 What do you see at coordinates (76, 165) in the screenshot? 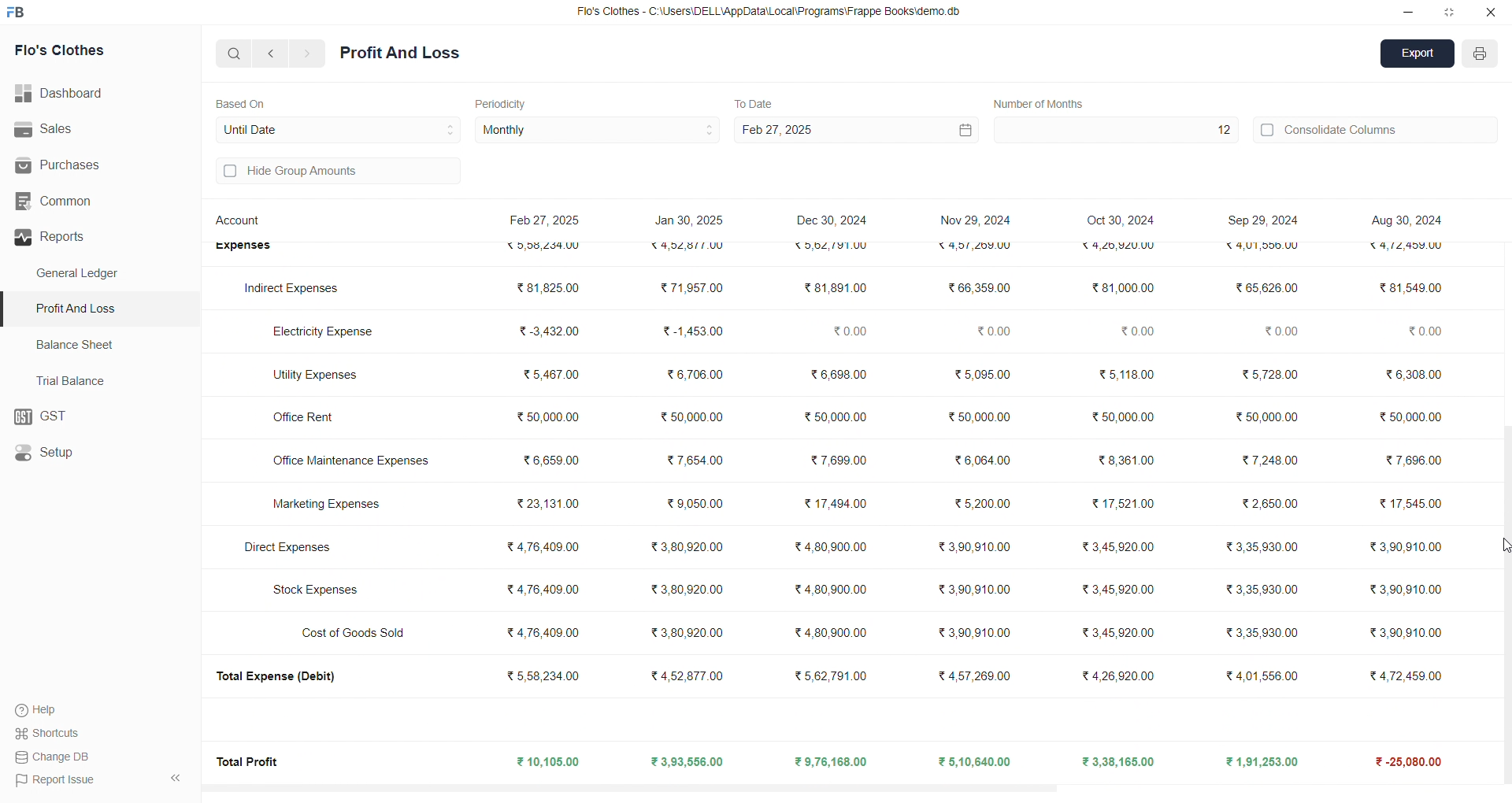
I see `Purchases` at bounding box center [76, 165].